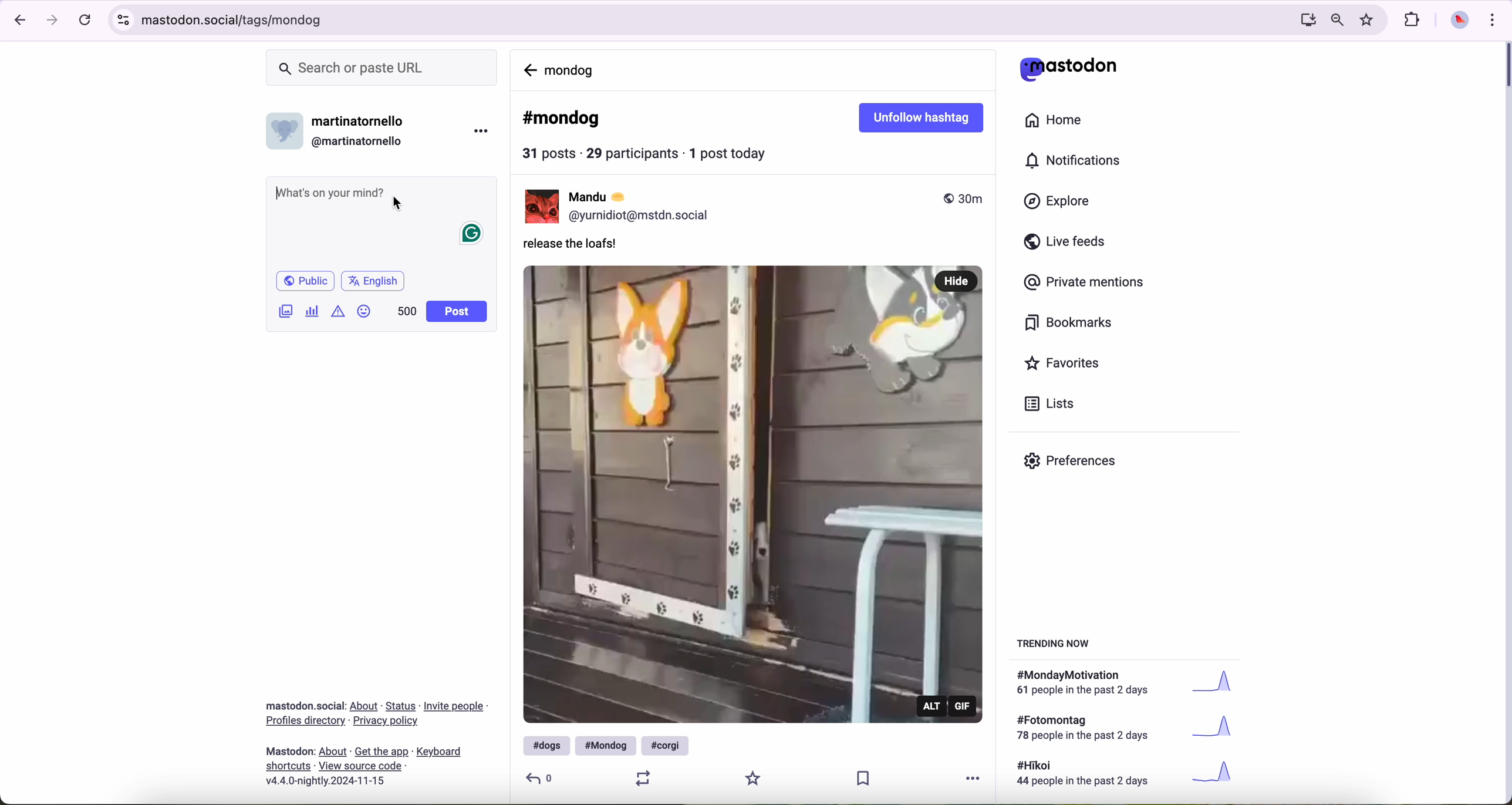 The height and width of the screenshot is (805, 1512). What do you see at coordinates (374, 282) in the screenshot?
I see `English` at bounding box center [374, 282].